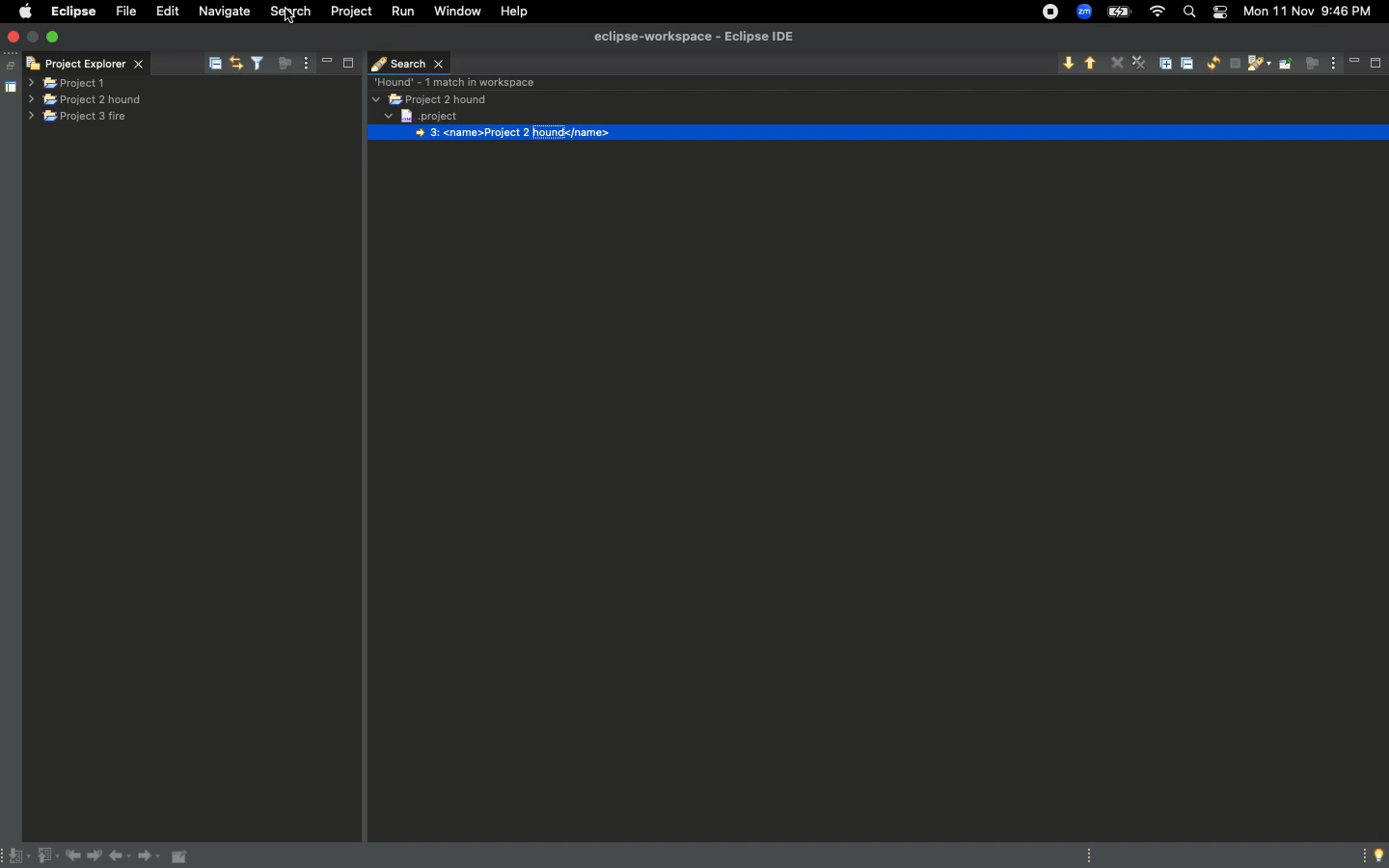 The height and width of the screenshot is (868, 1389). What do you see at coordinates (1067, 63) in the screenshot?
I see `Show next match` at bounding box center [1067, 63].